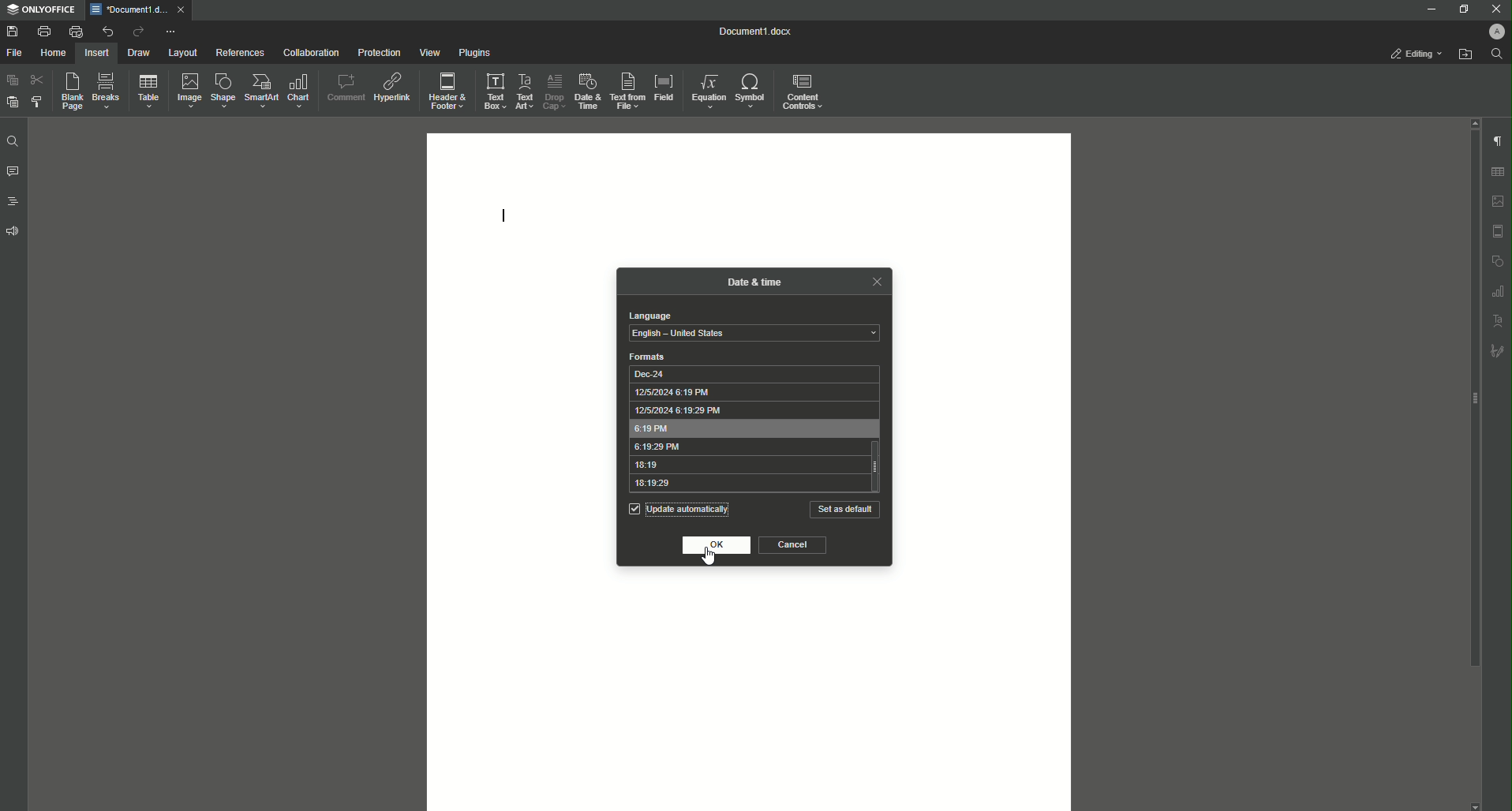  What do you see at coordinates (745, 484) in the screenshot?
I see `18:19:29` at bounding box center [745, 484].